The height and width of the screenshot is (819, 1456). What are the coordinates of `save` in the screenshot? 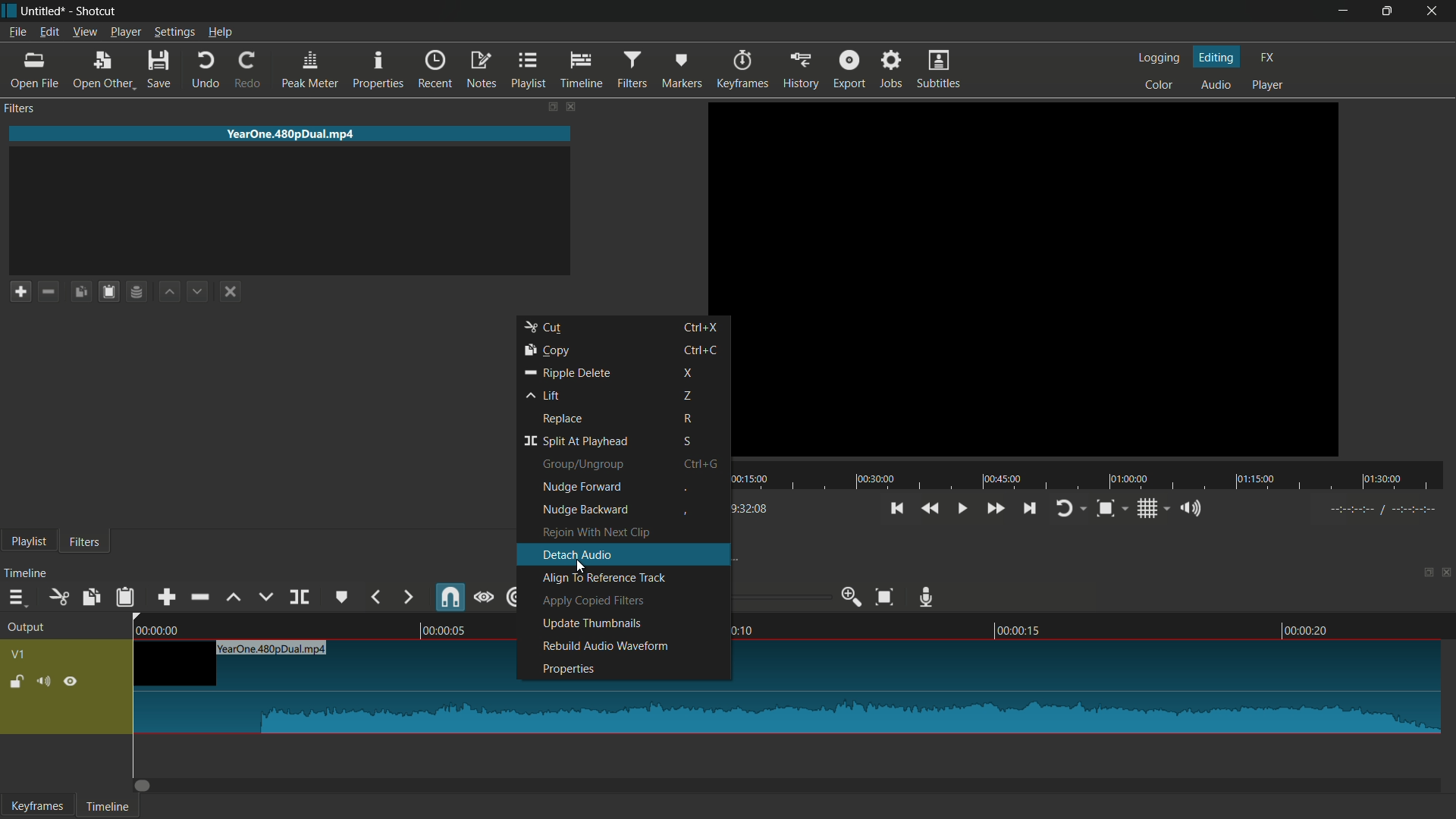 It's located at (160, 71).